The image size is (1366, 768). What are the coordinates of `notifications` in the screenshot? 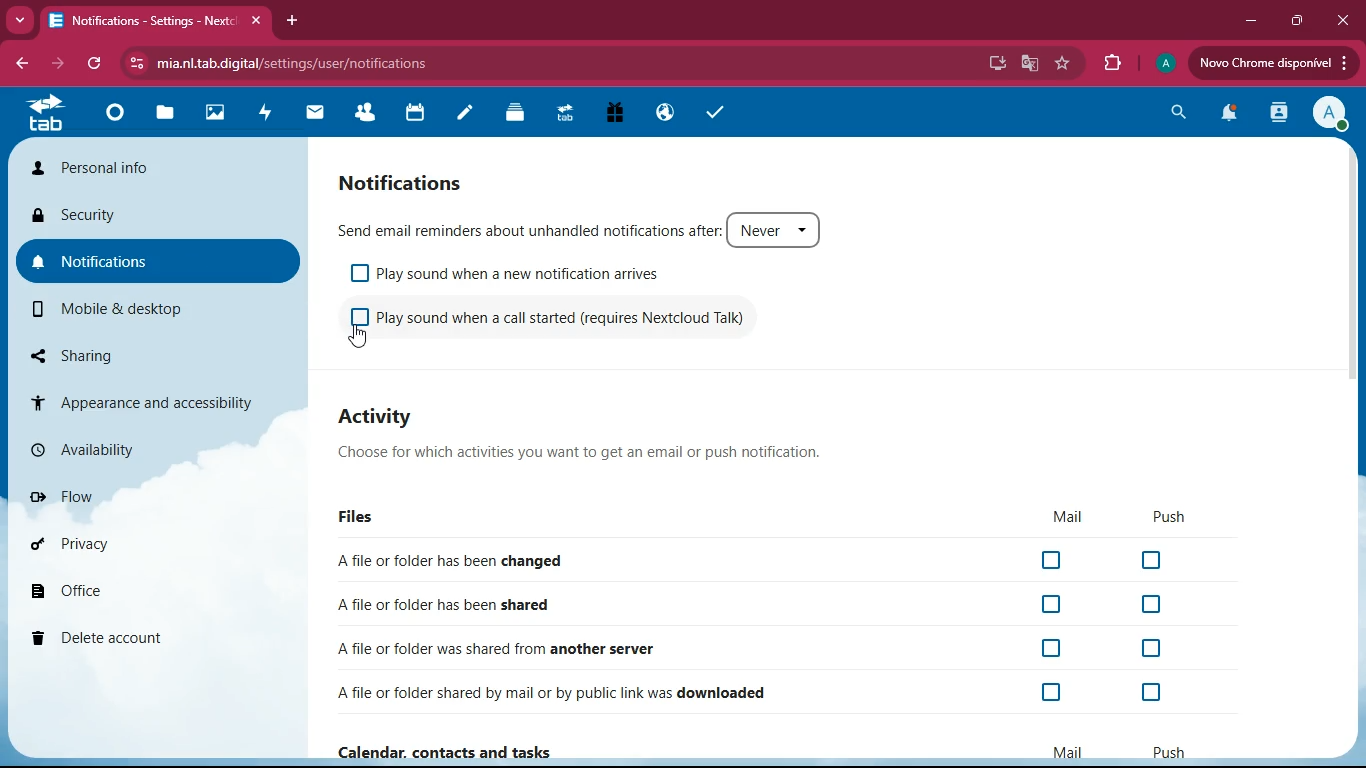 It's located at (1230, 115).